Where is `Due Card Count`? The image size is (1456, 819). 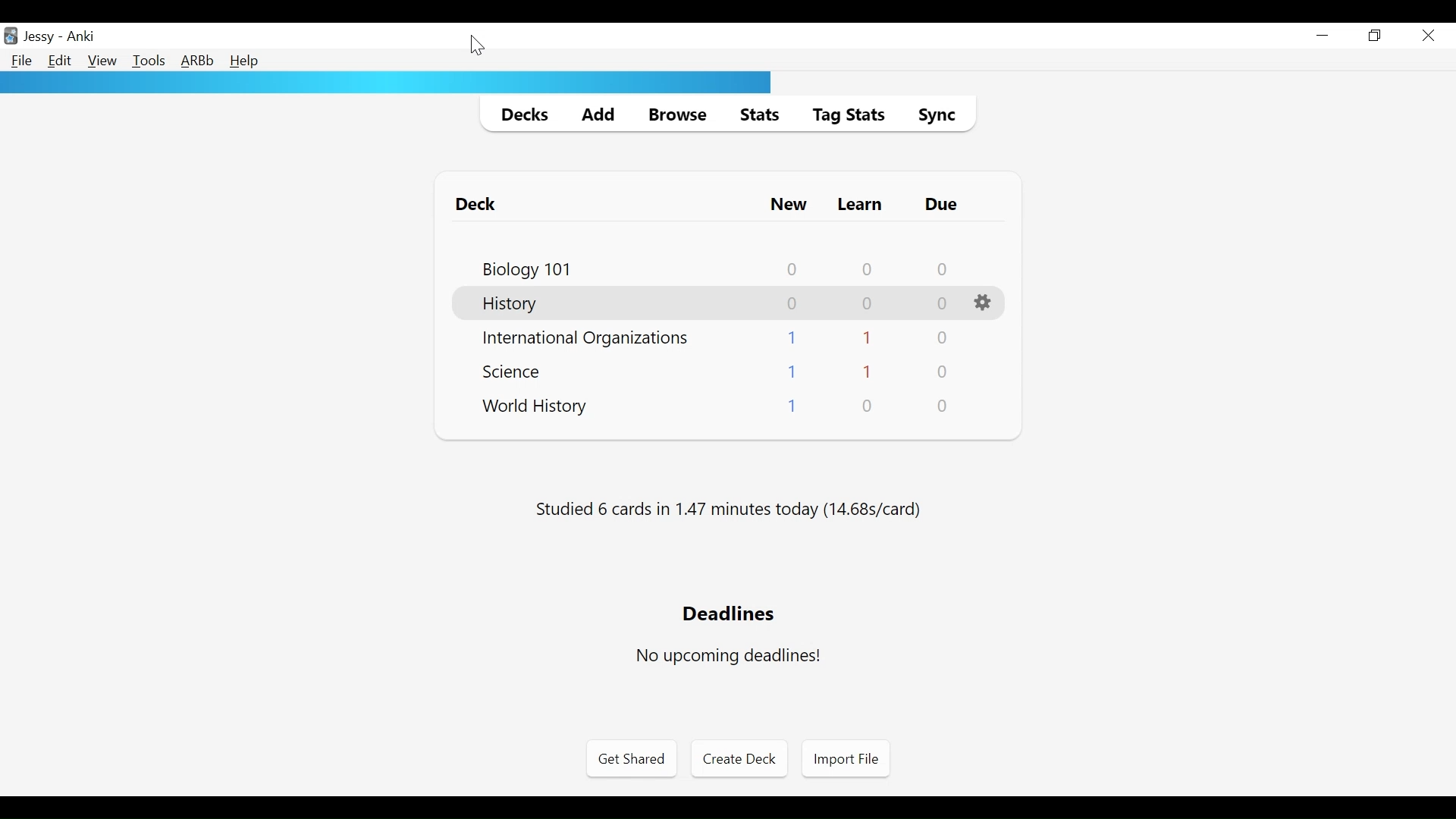
Due Card Count is located at coordinates (945, 407).